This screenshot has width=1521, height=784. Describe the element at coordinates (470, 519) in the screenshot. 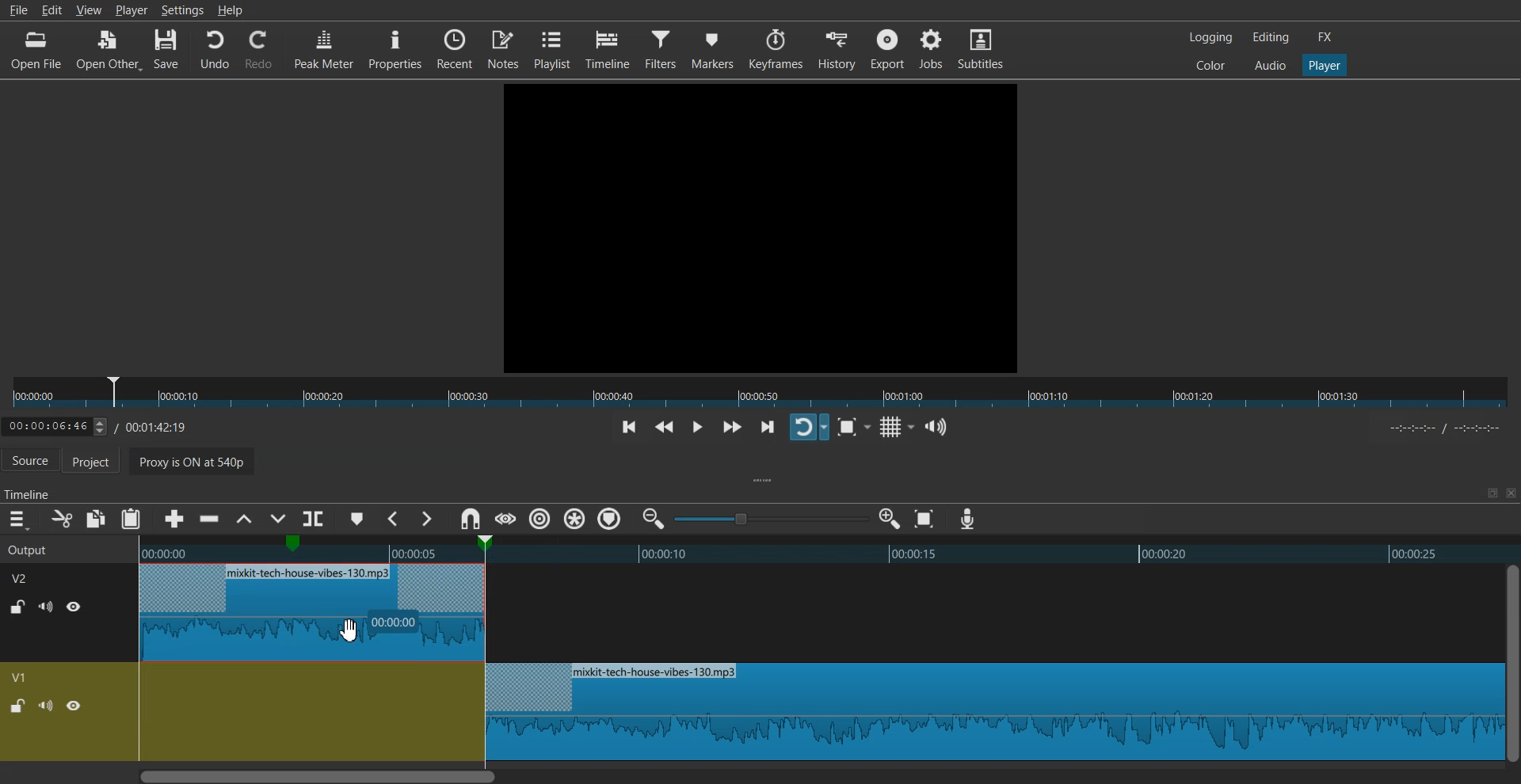

I see `Snap` at that location.